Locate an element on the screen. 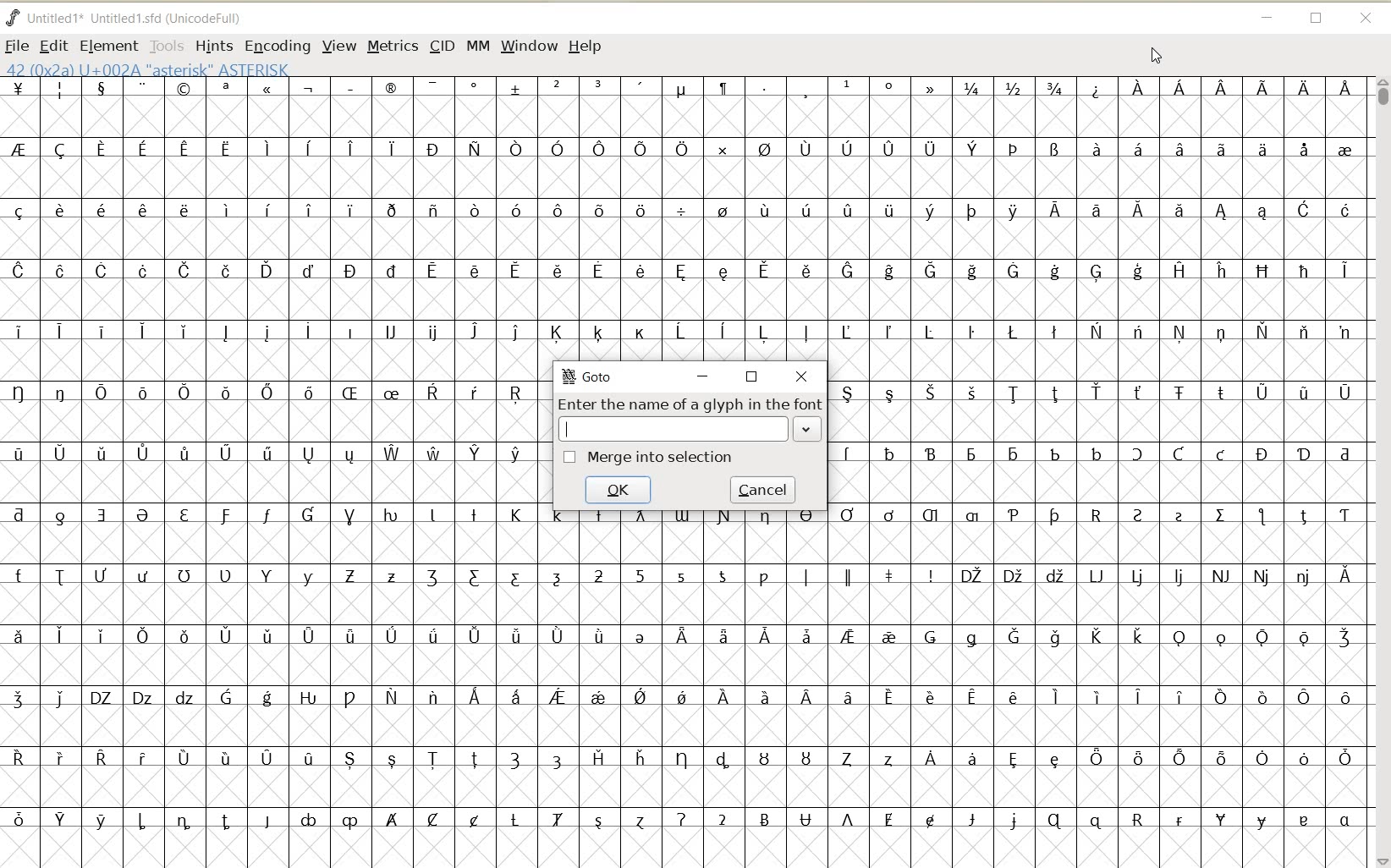 The width and height of the screenshot is (1391, 868). restore is located at coordinates (752, 377).